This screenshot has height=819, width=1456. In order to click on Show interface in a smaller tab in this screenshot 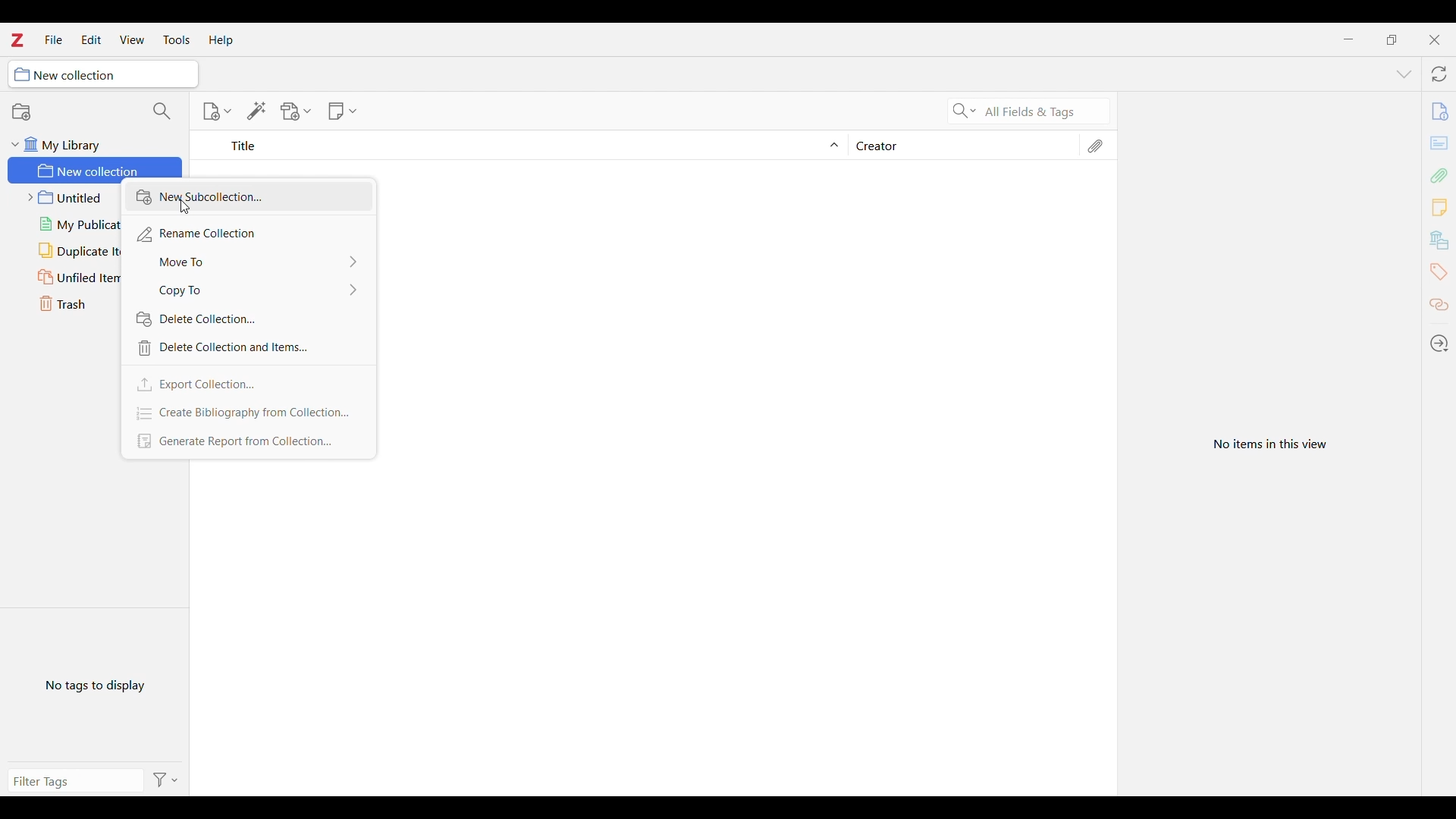, I will do `click(1392, 40)`.